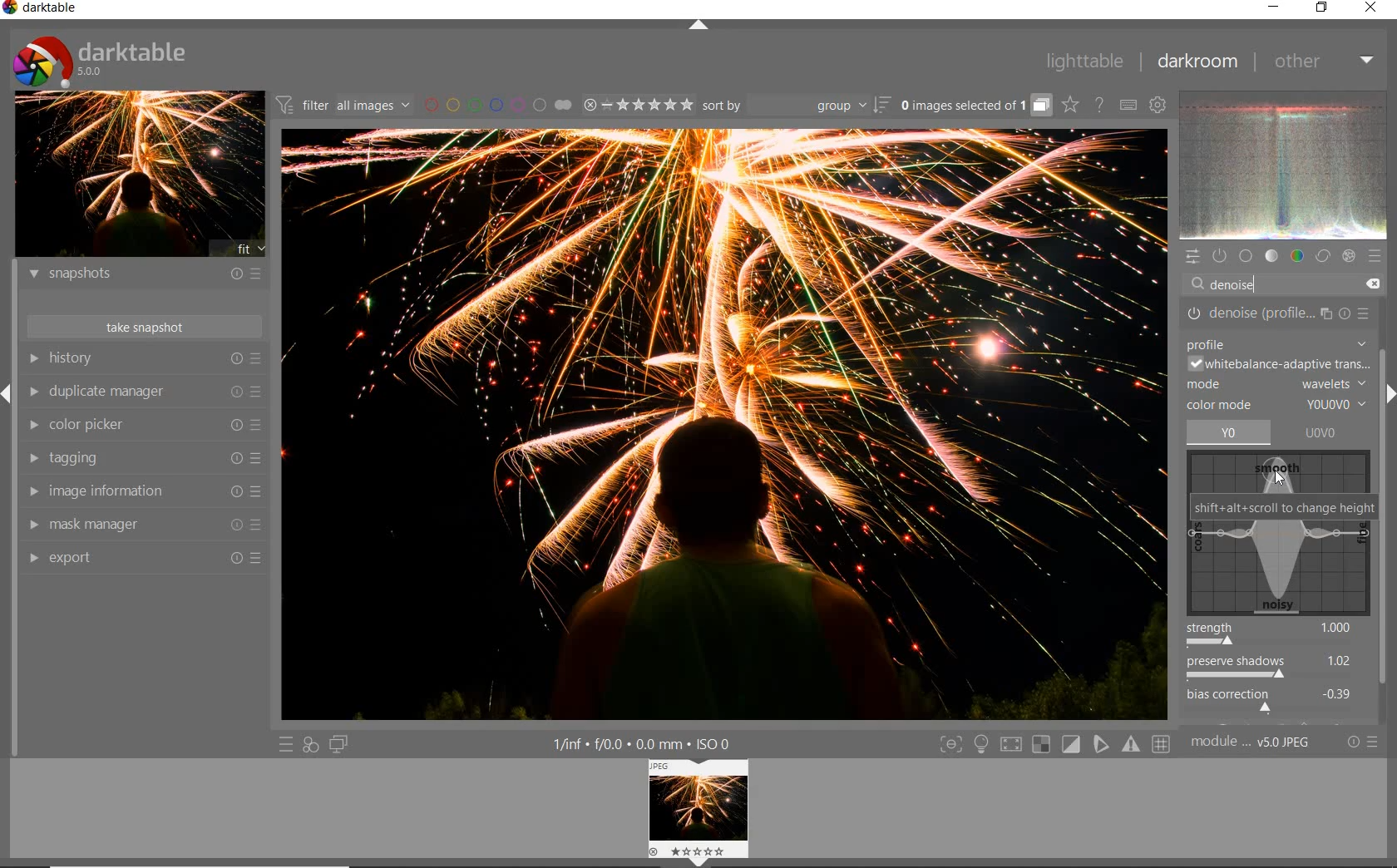 The image size is (1397, 868). I want to click on quick access panel, so click(1194, 255).